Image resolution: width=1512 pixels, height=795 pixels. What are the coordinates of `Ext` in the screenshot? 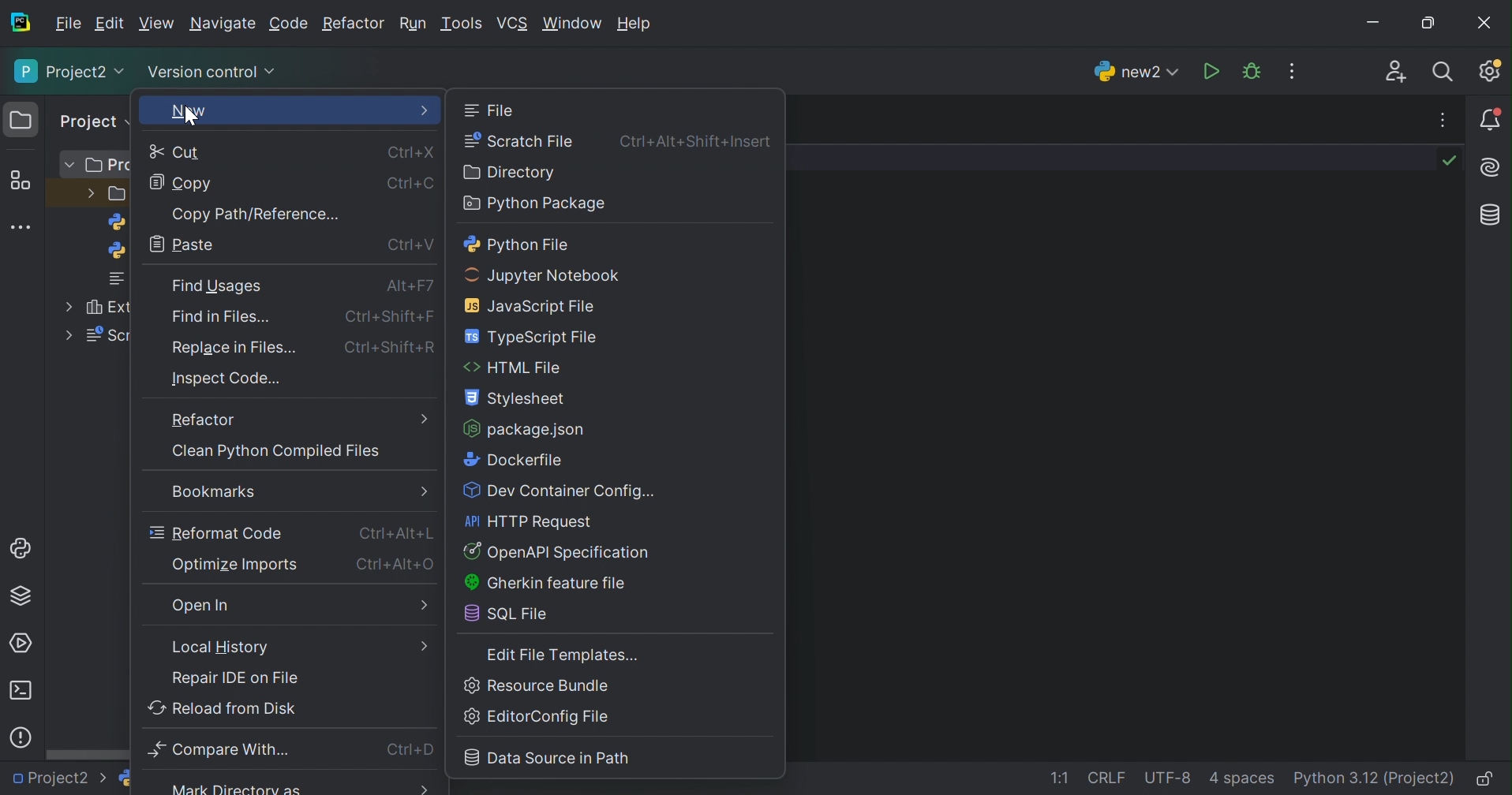 It's located at (110, 308).